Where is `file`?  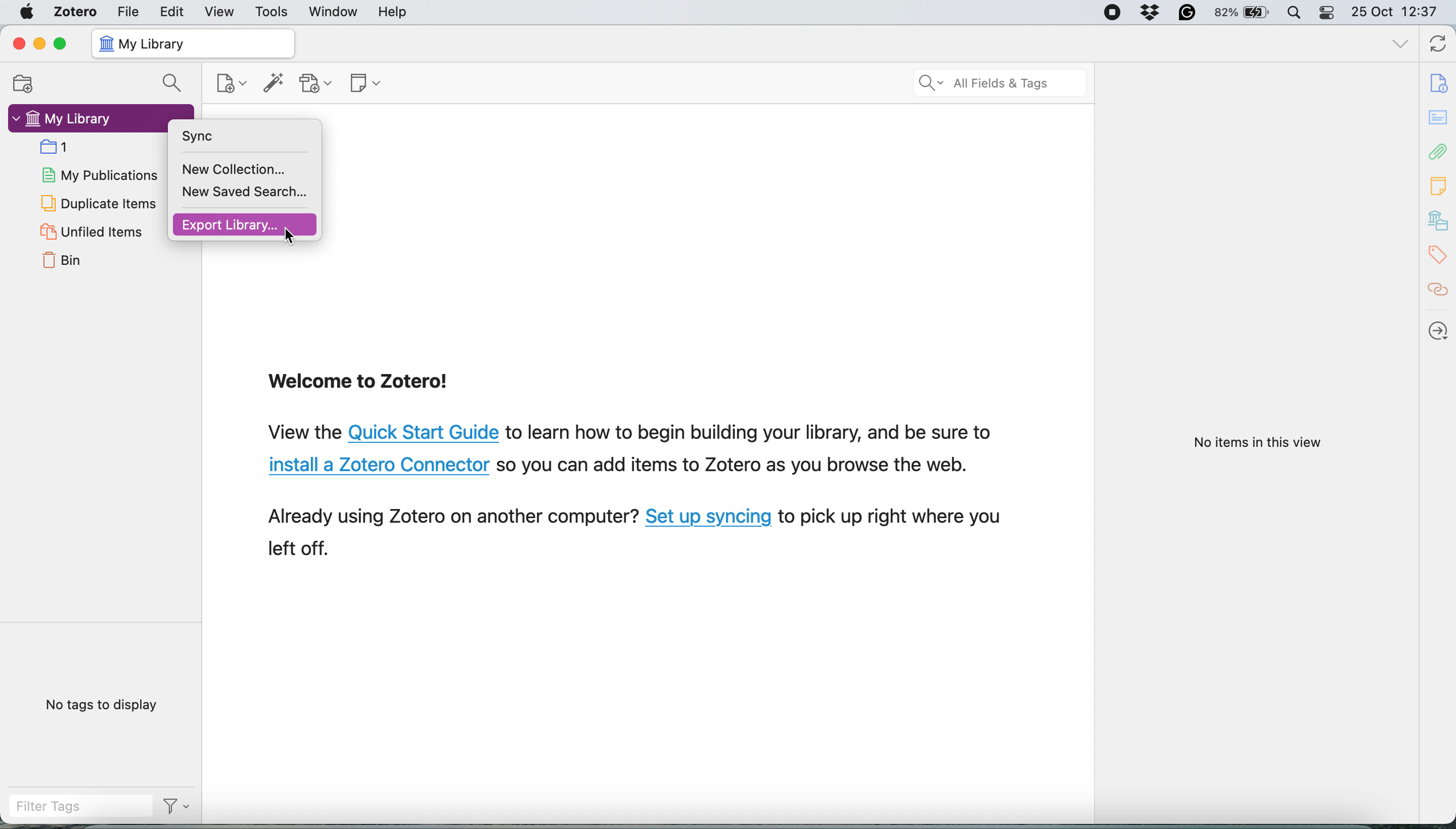
file is located at coordinates (128, 11).